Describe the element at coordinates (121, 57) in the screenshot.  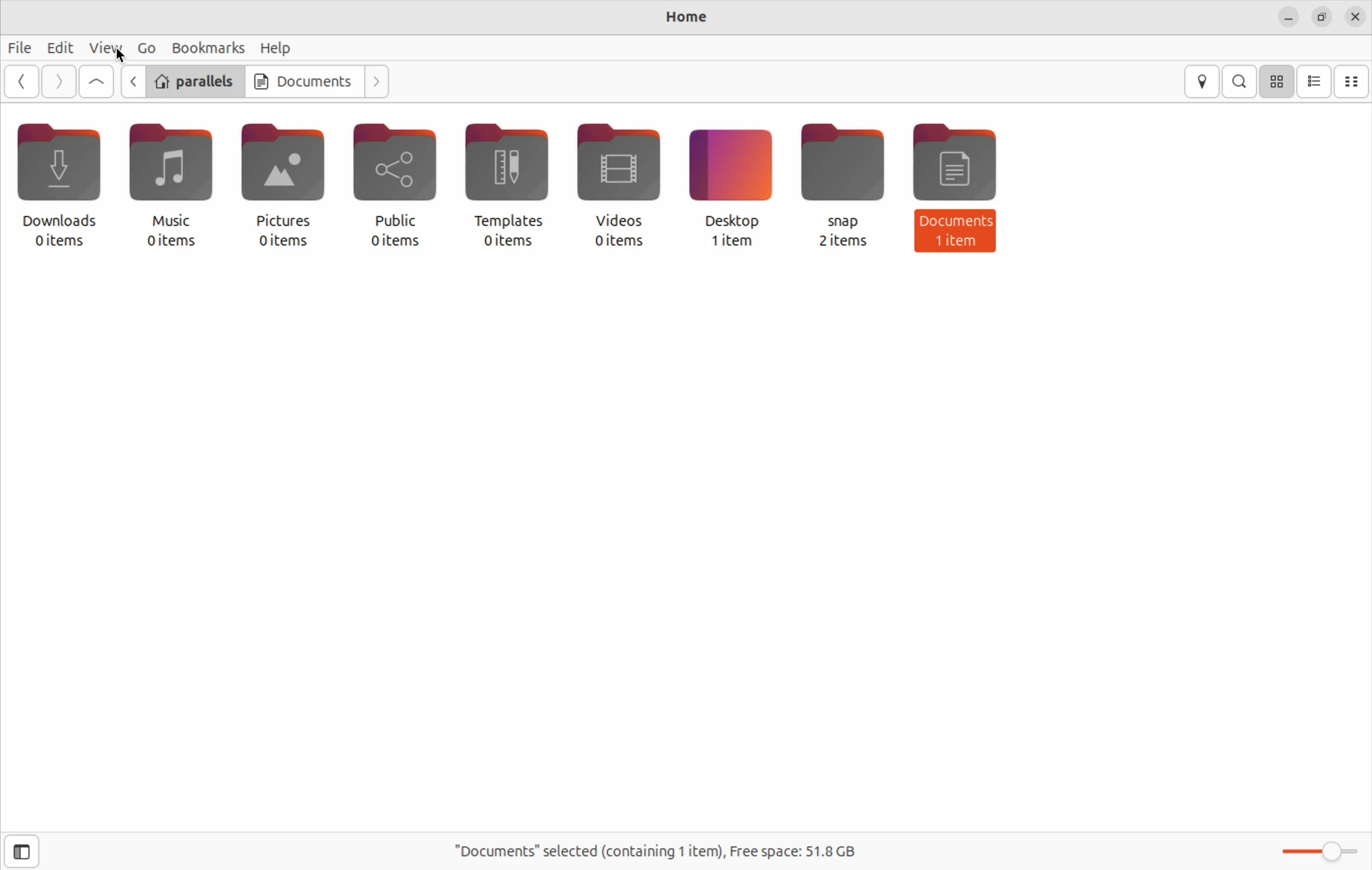
I see `cursor` at that location.